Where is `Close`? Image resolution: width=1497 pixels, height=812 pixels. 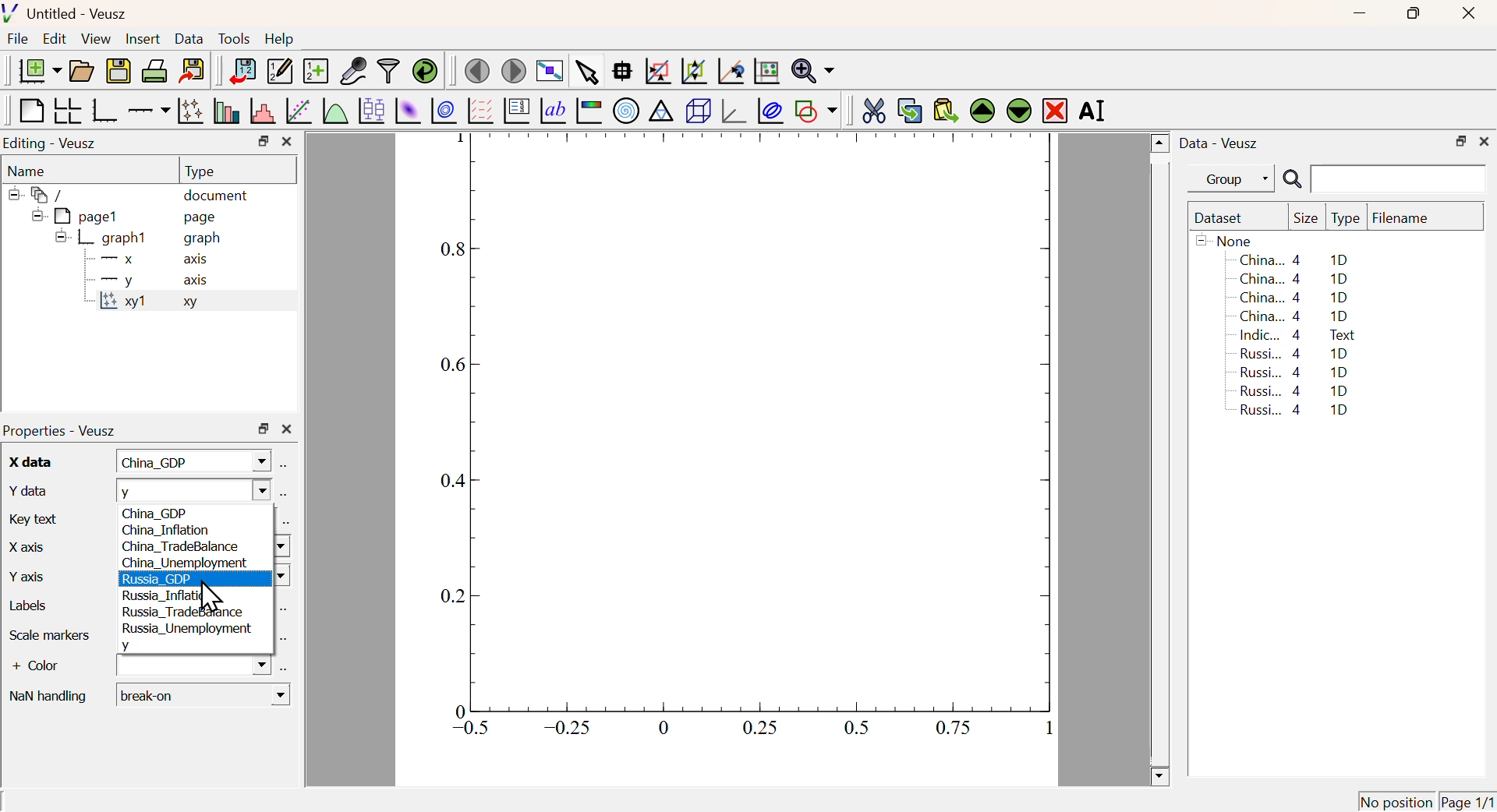 Close is located at coordinates (1466, 15).